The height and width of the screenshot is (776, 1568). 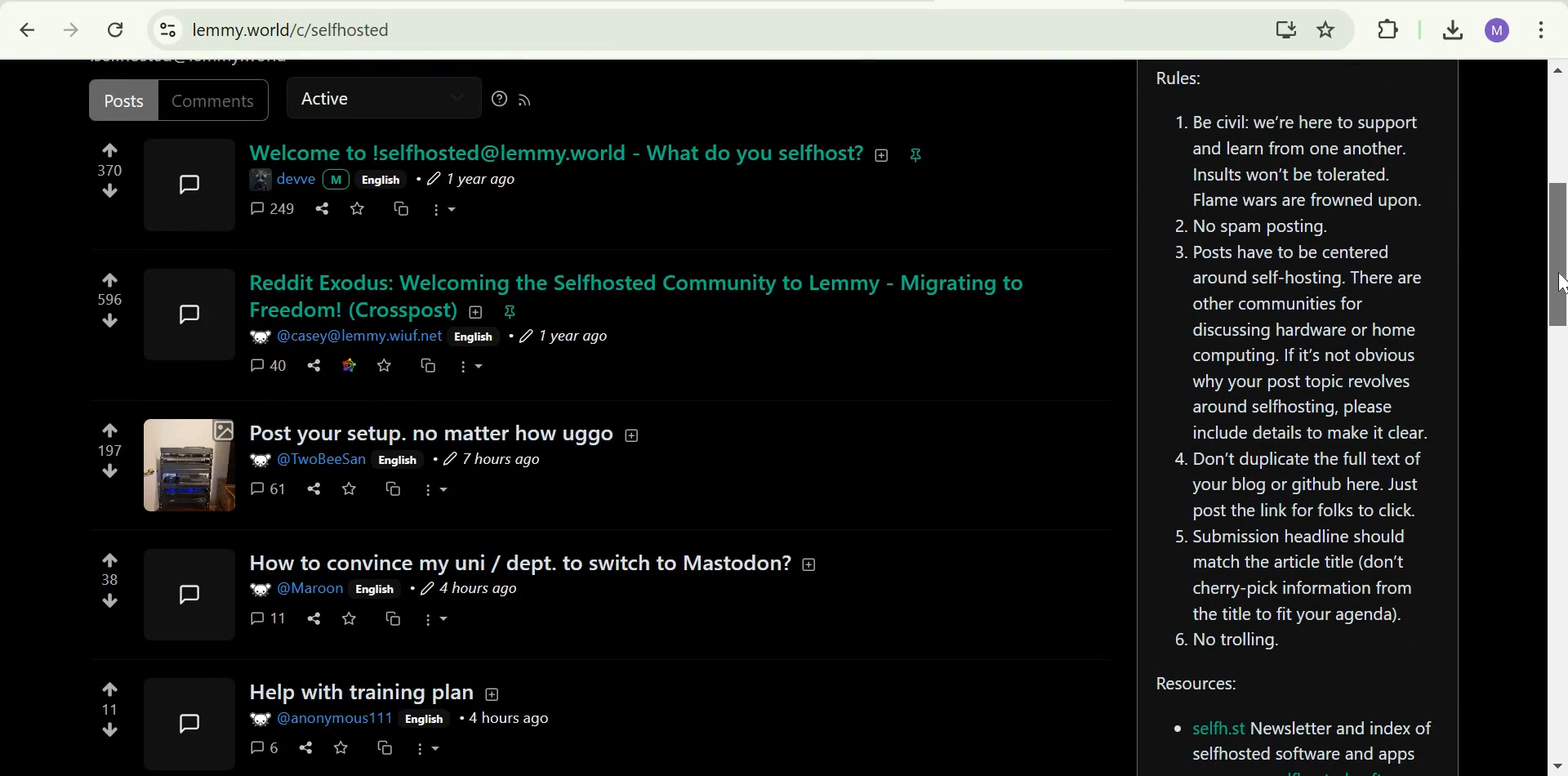 What do you see at coordinates (429, 749) in the screenshot?
I see `More` at bounding box center [429, 749].